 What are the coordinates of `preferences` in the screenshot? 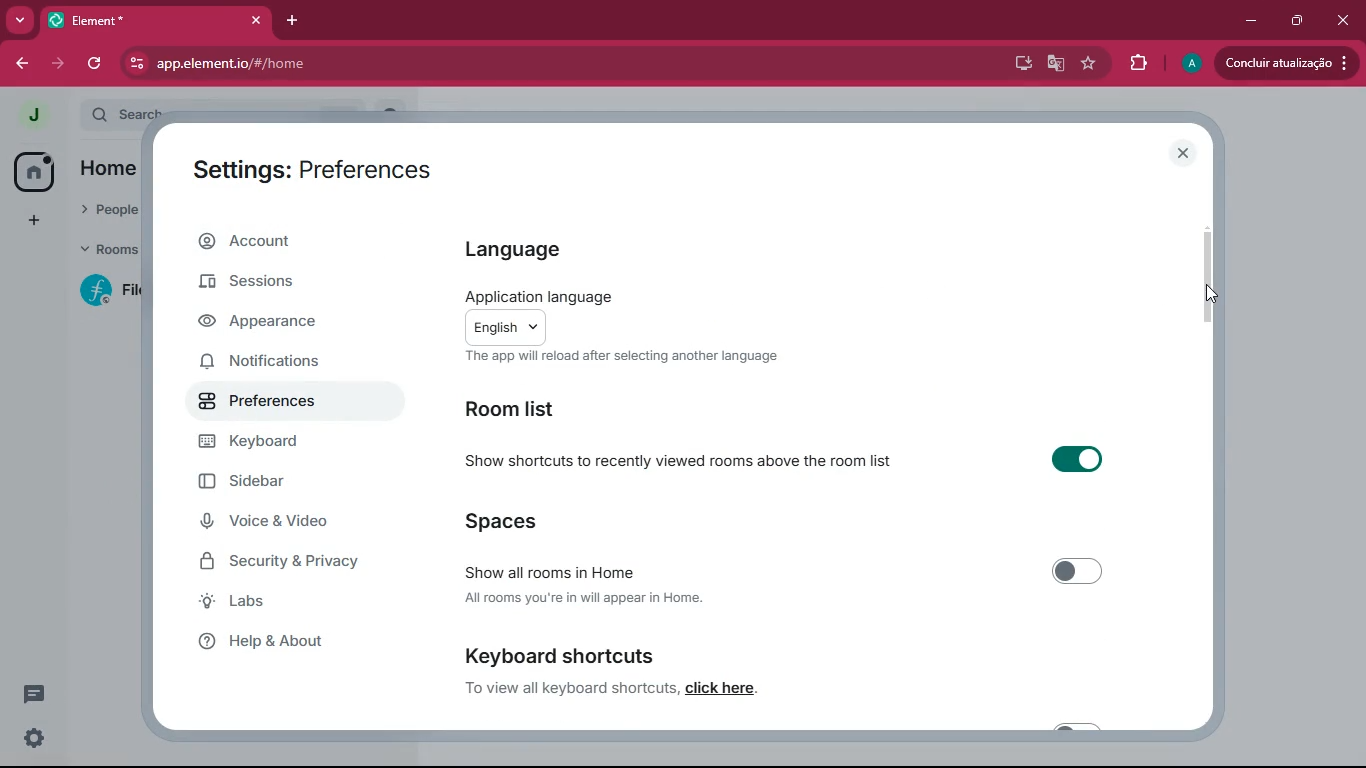 It's located at (280, 406).